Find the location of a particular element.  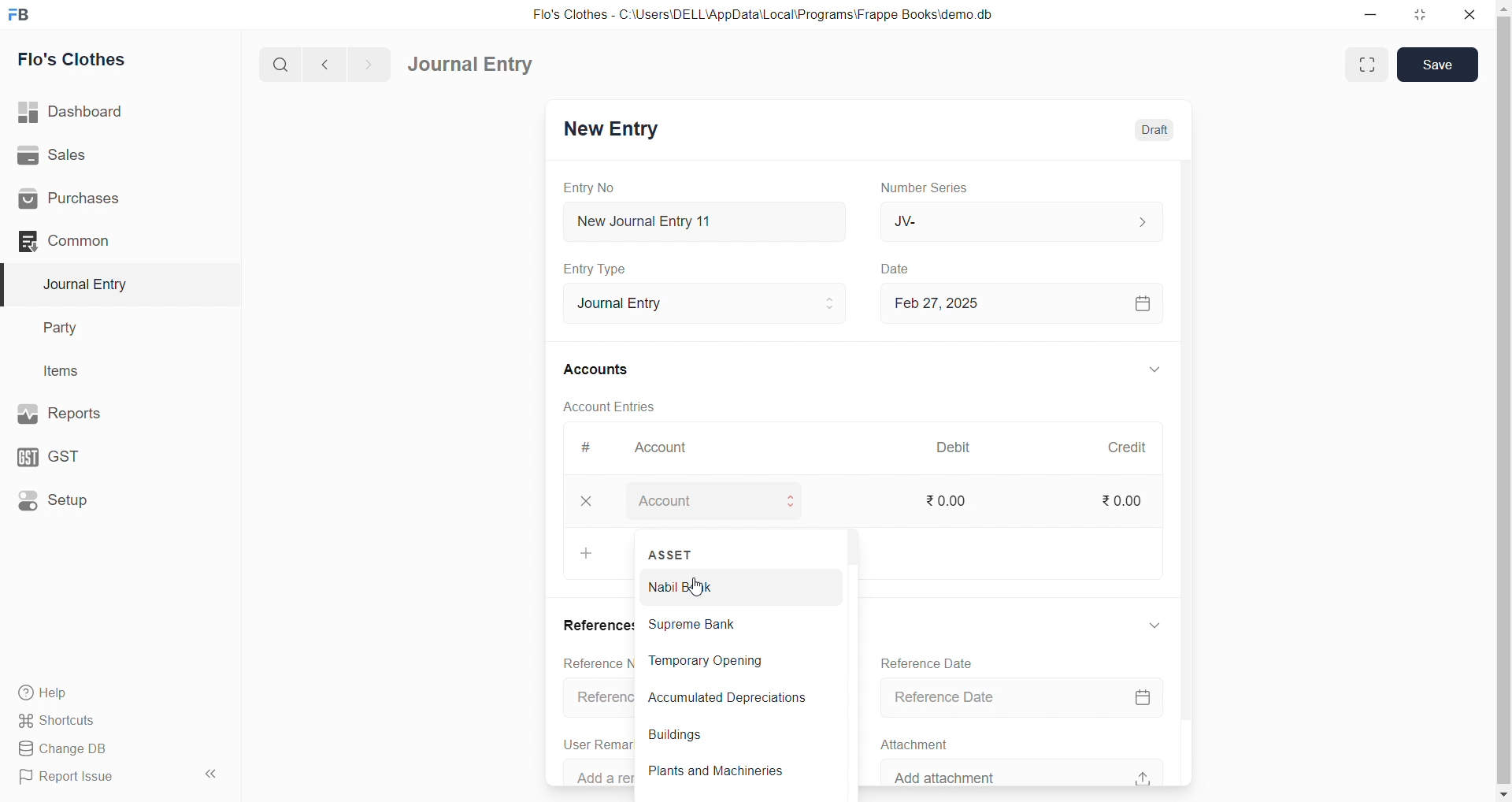

logo is located at coordinates (24, 13).